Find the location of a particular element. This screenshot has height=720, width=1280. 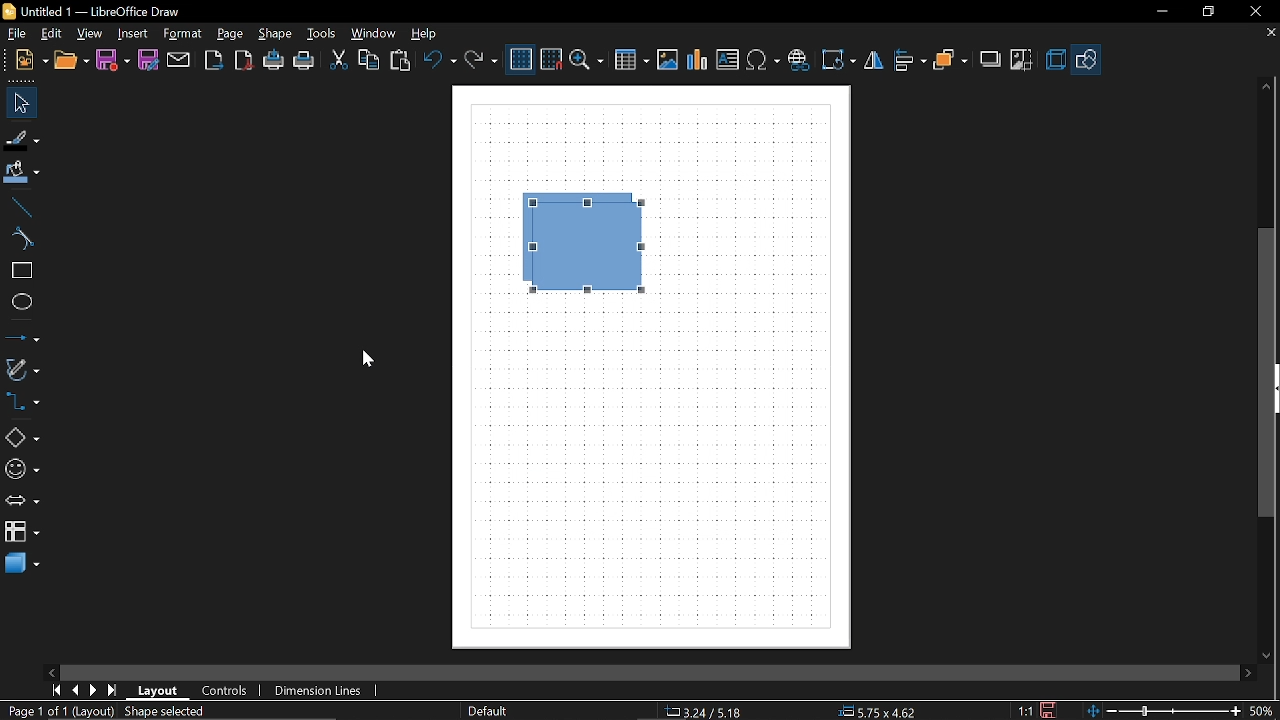

Line is located at coordinates (18, 208).